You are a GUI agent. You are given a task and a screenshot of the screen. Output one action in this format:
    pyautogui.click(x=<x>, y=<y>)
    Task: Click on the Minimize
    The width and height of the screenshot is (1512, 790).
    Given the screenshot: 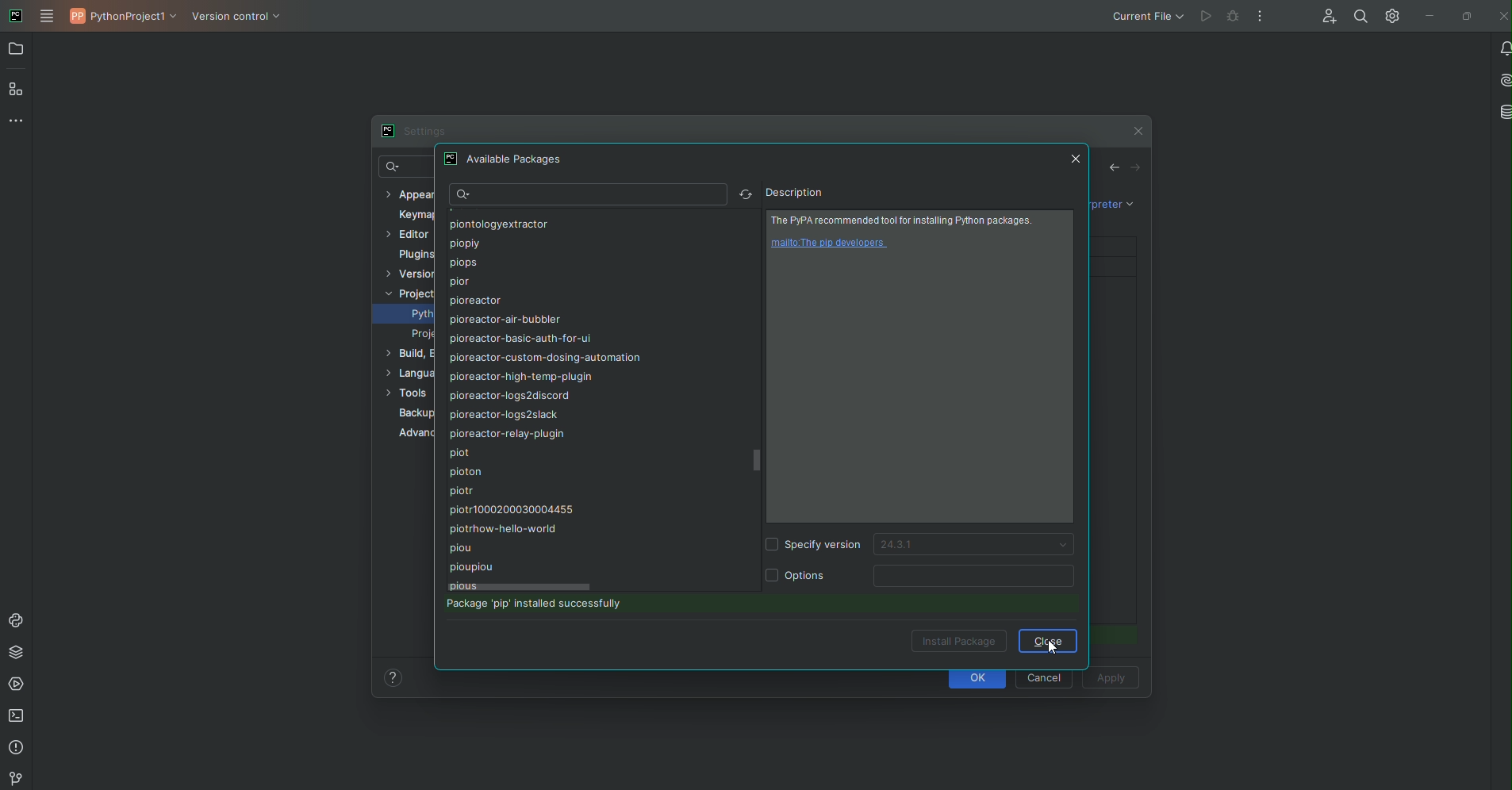 What is the action you would take?
    pyautogui.click(x=1426, y=17)
    